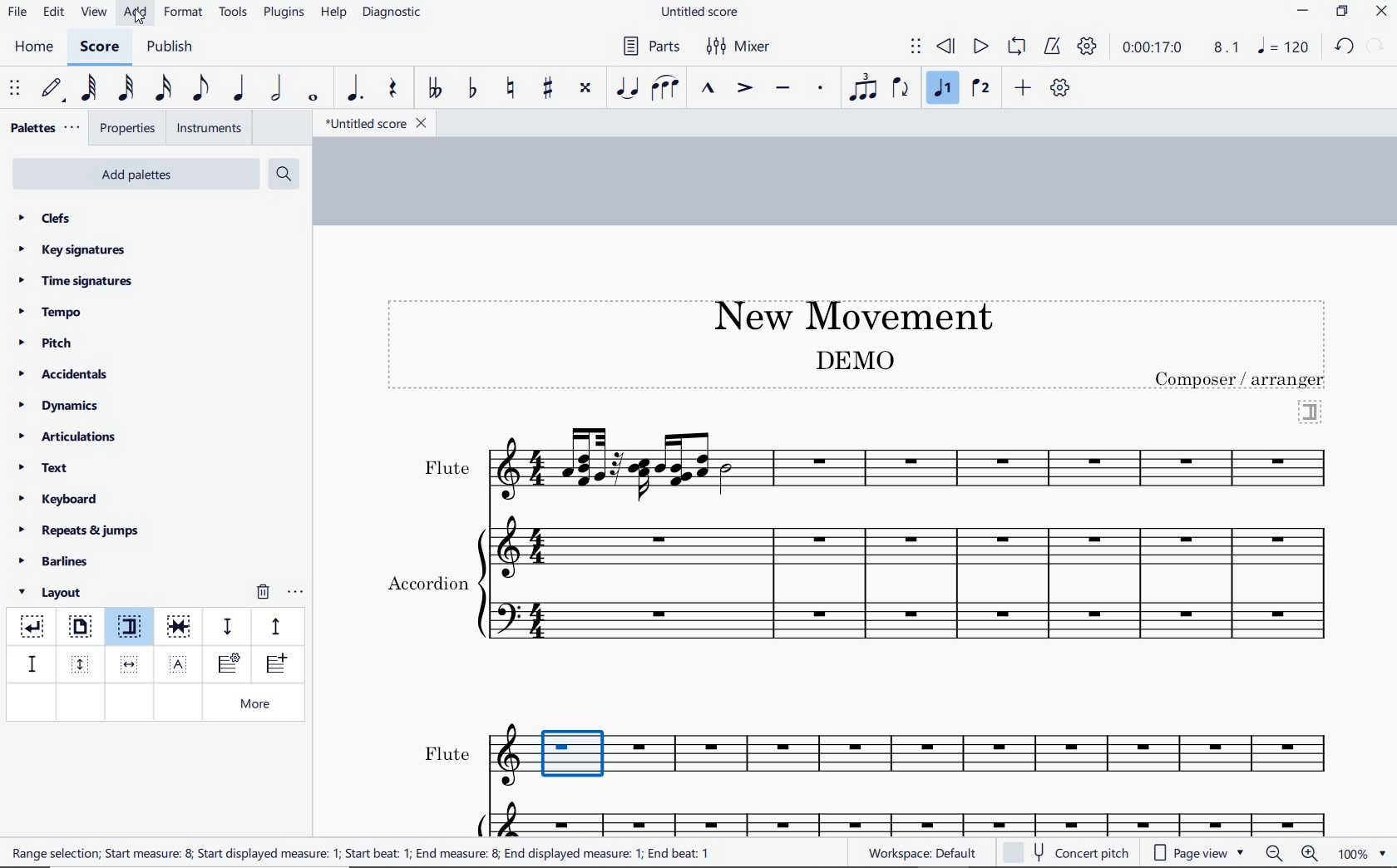 The height and width of the screenshot is (868, 1397). What do you see at coordinates (206, 129) in the screenshot?
I see `instruments` at bounding box center [206, 129].